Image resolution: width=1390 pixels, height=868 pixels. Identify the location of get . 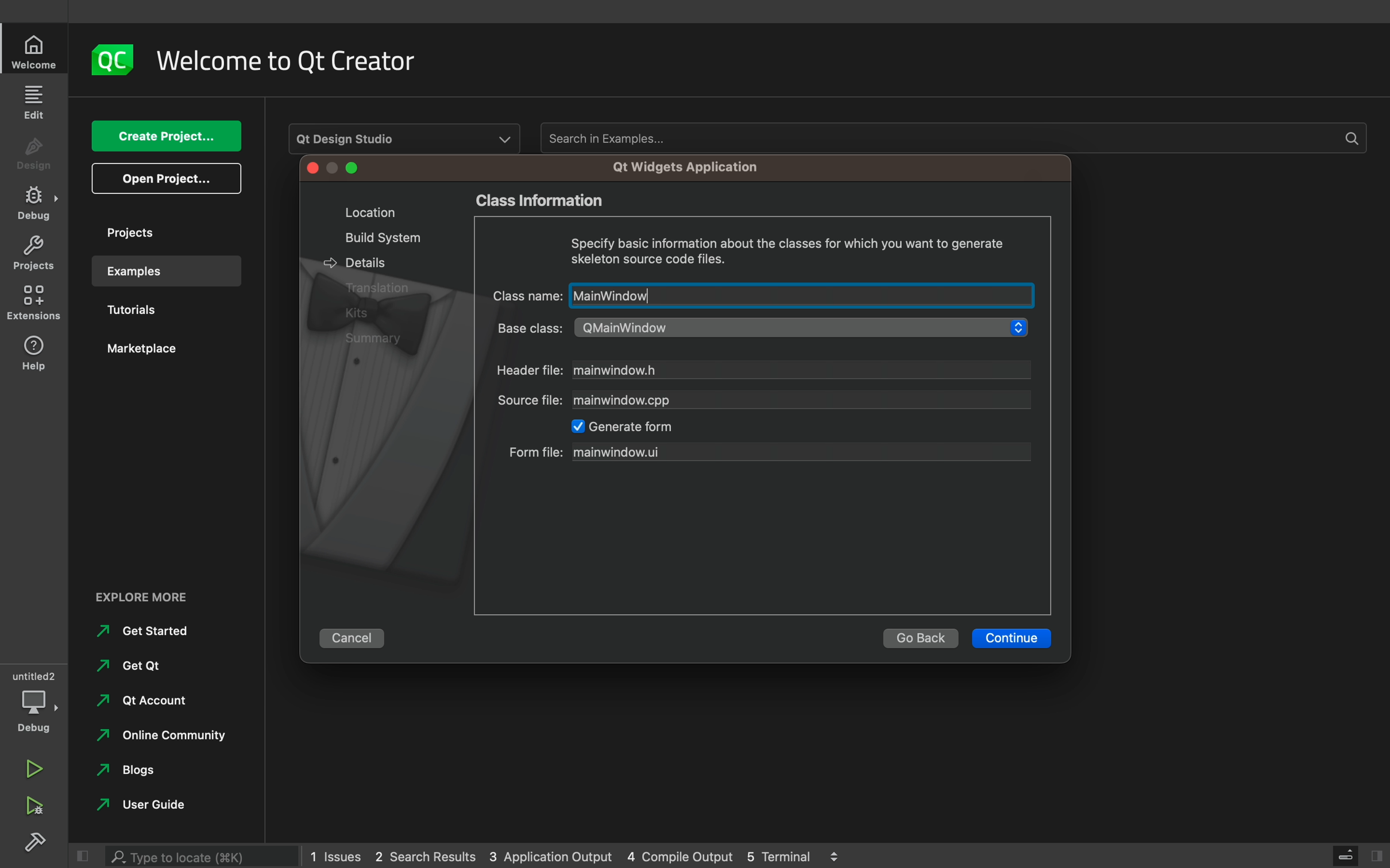
(128, 666).